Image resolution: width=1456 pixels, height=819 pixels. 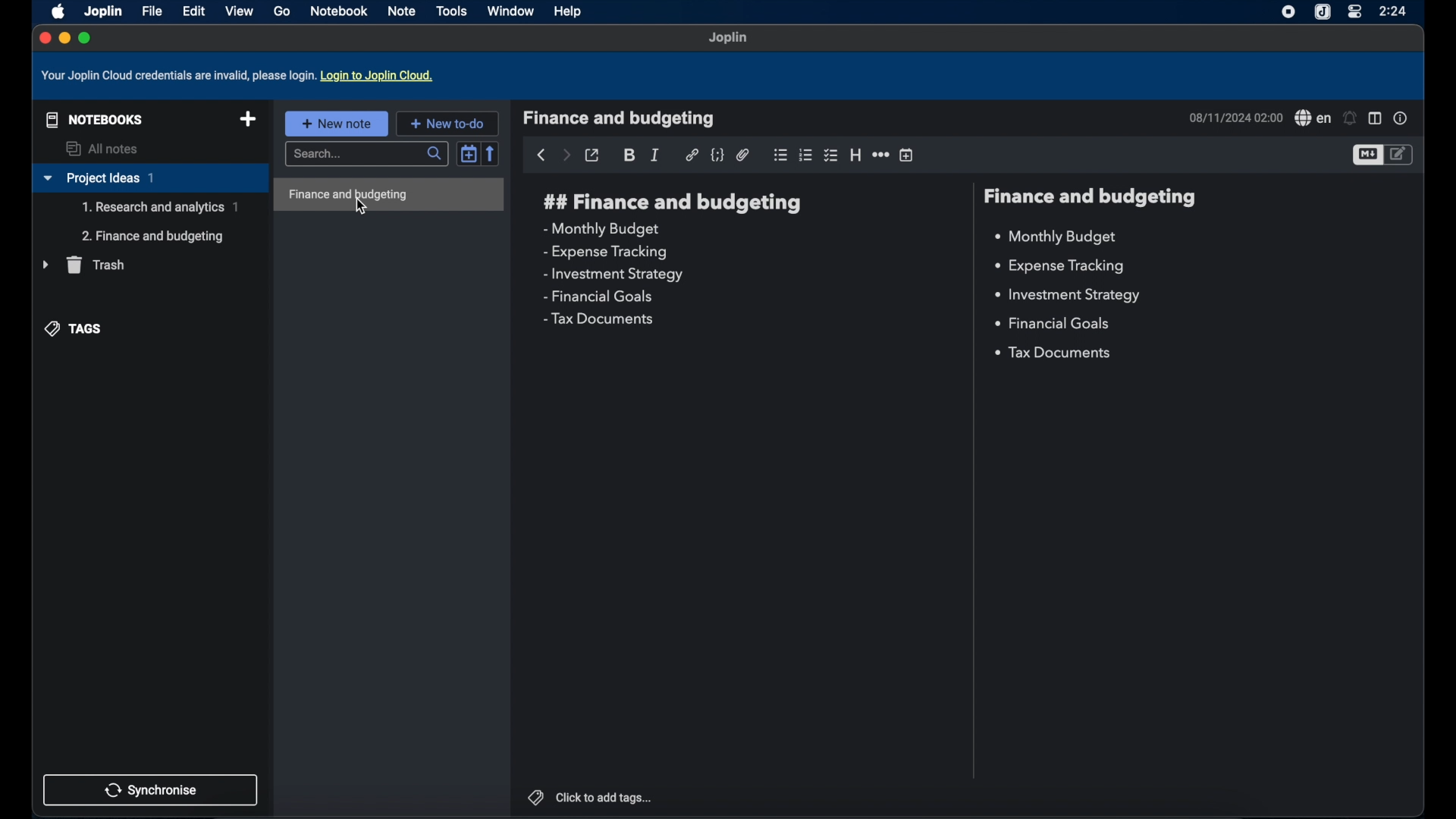 I want to click on minimize, so click(x=64, y=39).